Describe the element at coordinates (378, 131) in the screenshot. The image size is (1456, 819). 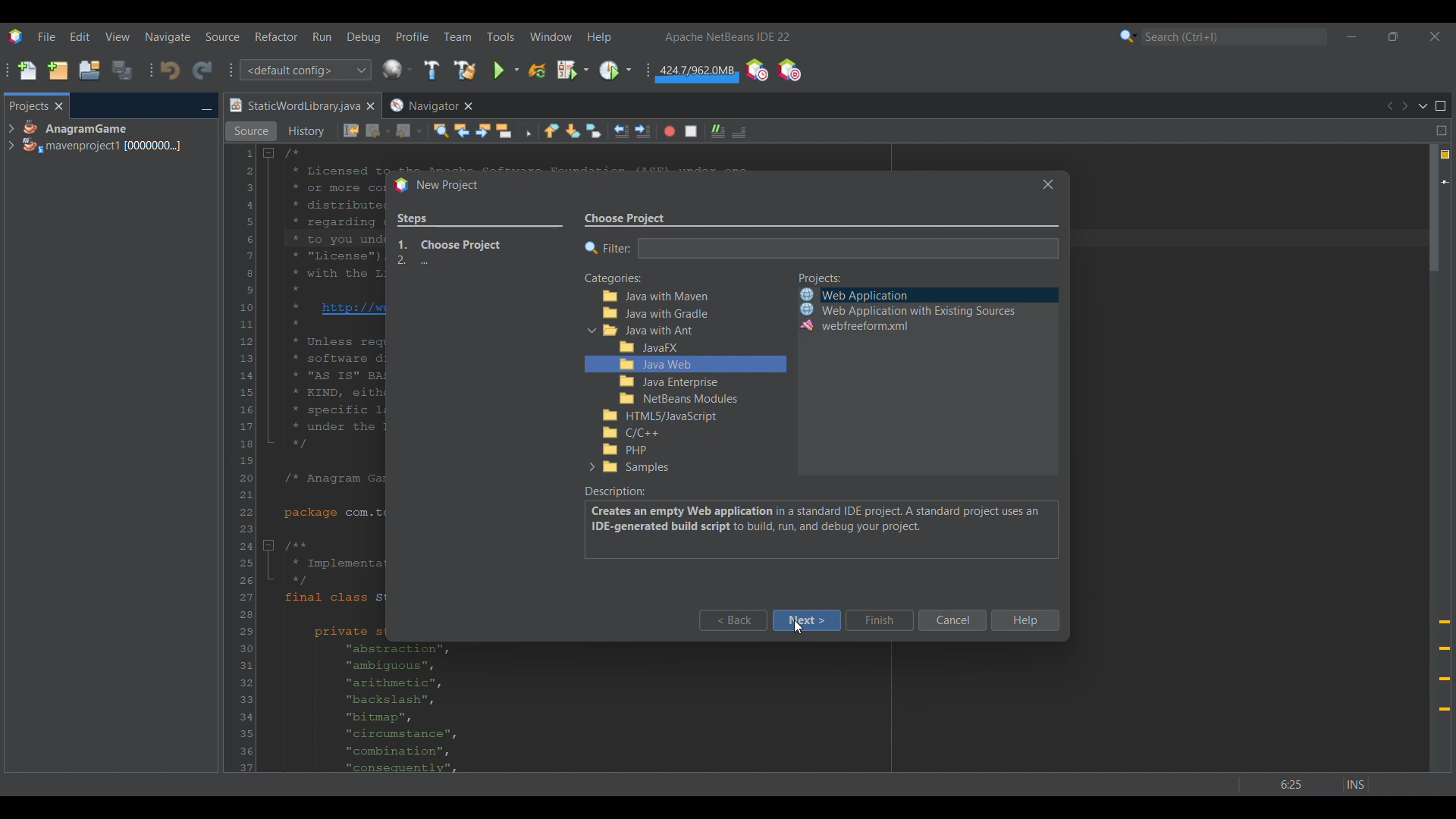
I see `Back` at that location.